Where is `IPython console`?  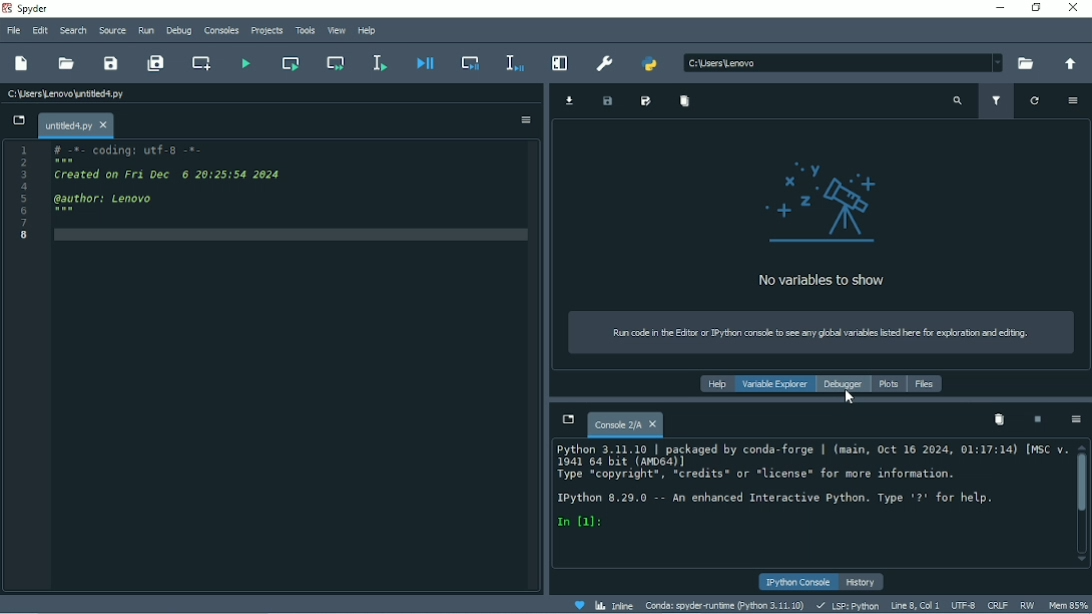 IPython console is located at coordinates (795, 581).